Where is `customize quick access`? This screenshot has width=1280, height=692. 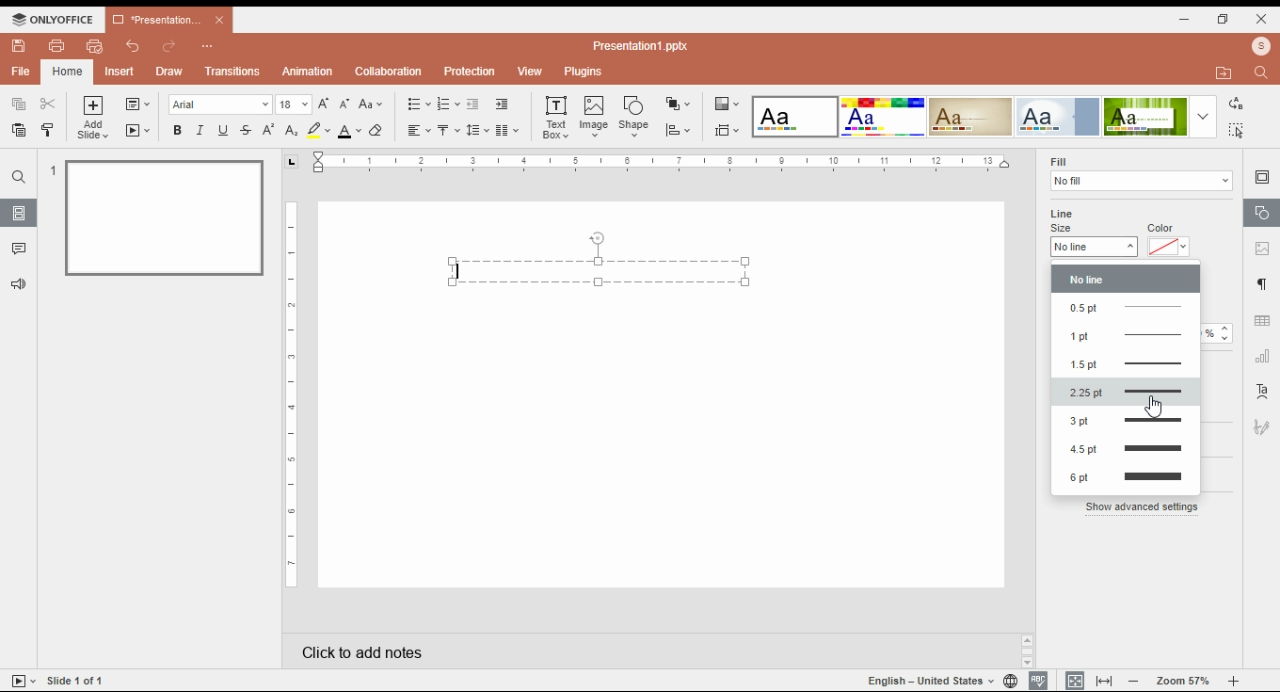 customize quick access is located at coordinates (209, 47).